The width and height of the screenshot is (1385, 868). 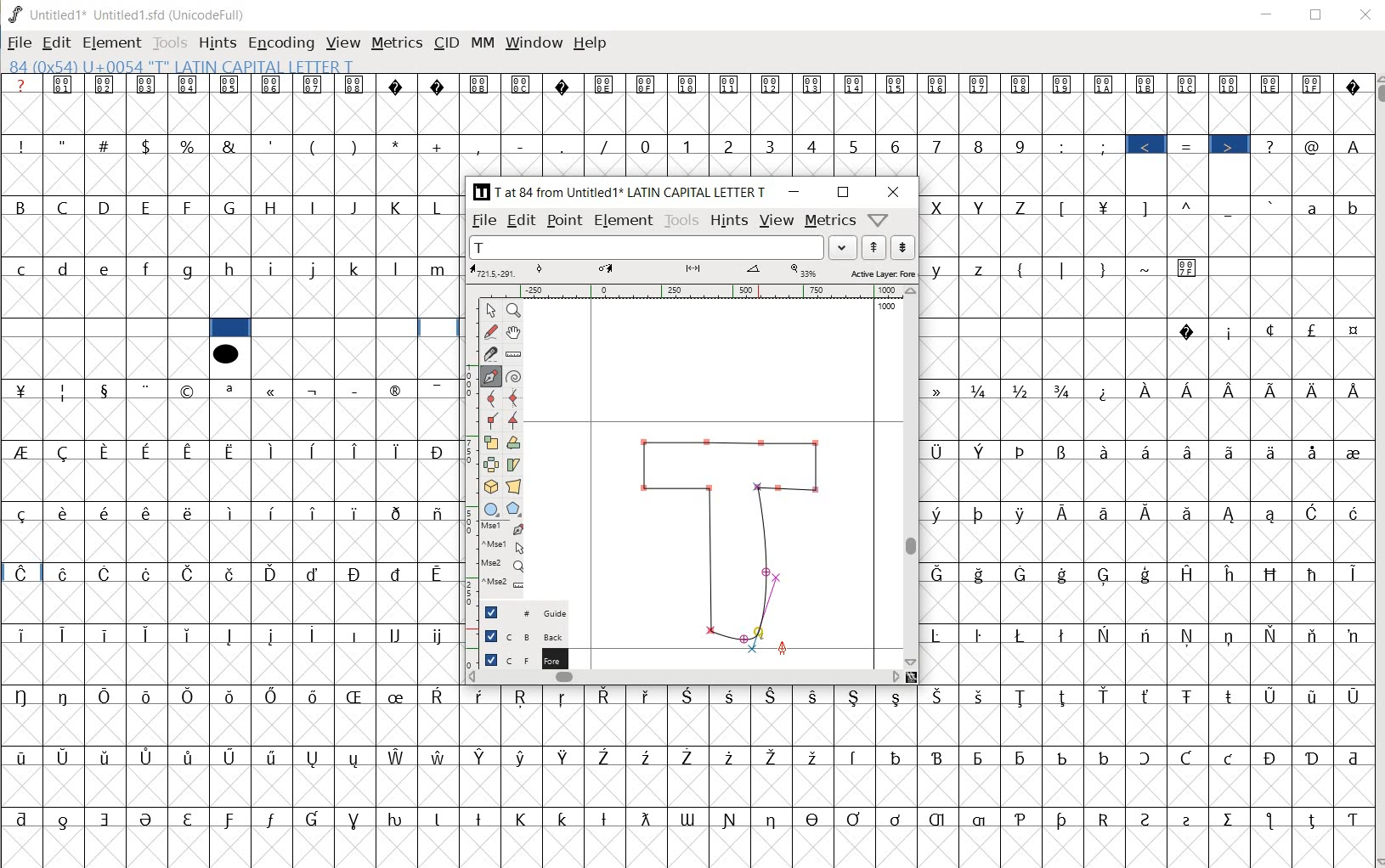 I want to click on freehand, so click(x=492, y=332).